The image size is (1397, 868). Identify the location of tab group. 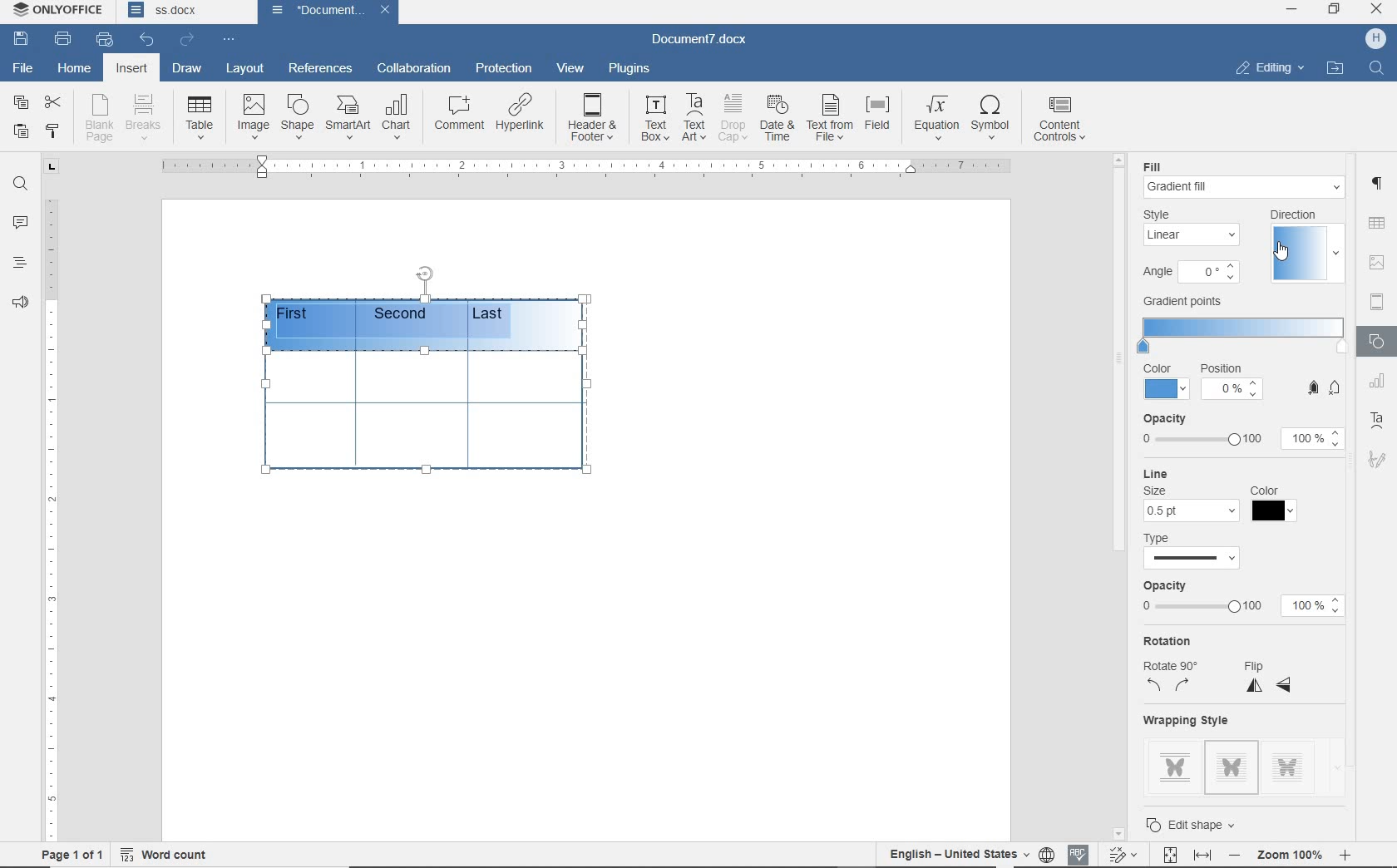
(49, 167).